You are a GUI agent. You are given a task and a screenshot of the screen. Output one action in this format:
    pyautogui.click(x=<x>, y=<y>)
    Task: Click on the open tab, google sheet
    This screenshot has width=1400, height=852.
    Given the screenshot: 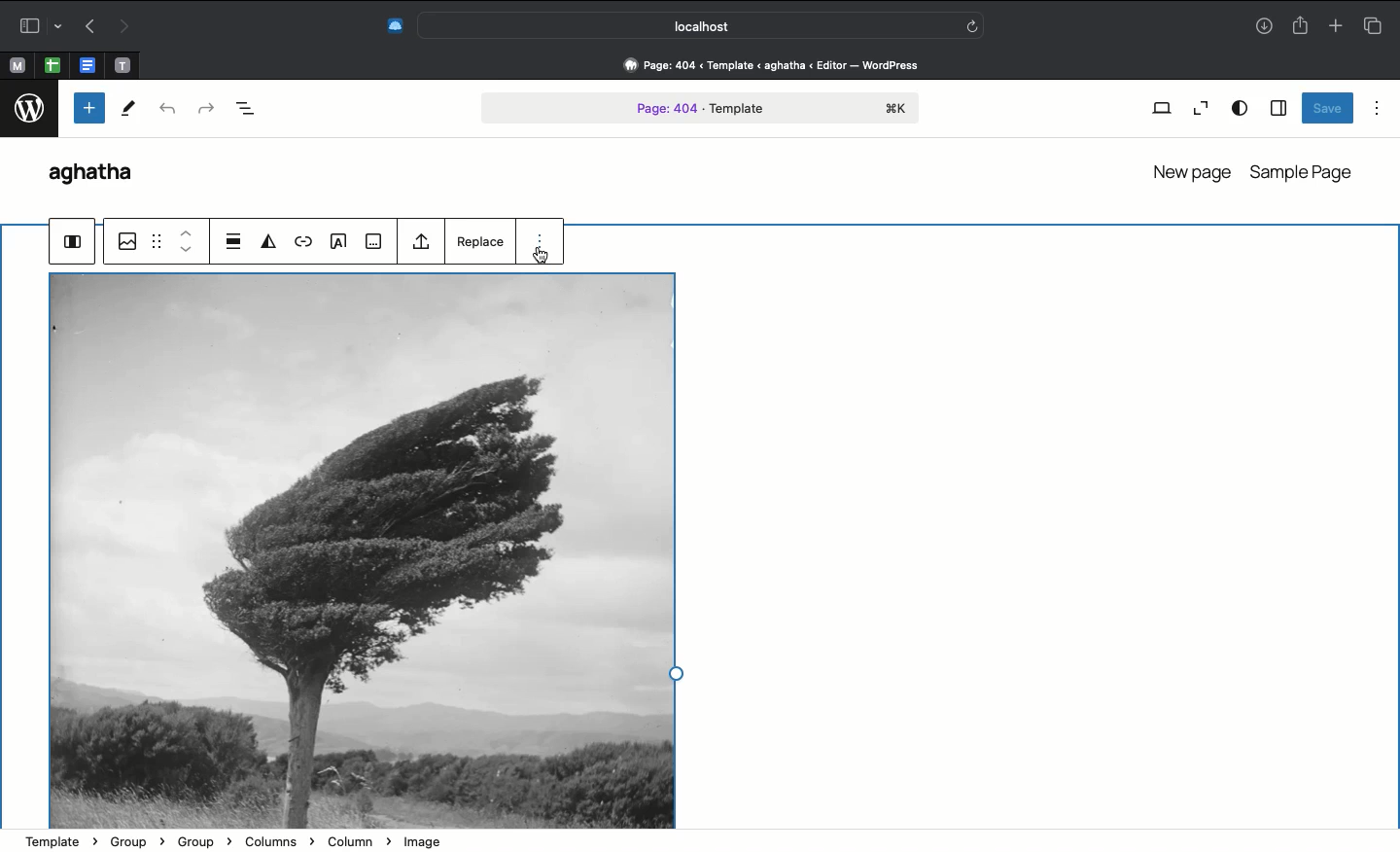 What is the action you would take?
    pyautogui.click(x=51, y=65)
    